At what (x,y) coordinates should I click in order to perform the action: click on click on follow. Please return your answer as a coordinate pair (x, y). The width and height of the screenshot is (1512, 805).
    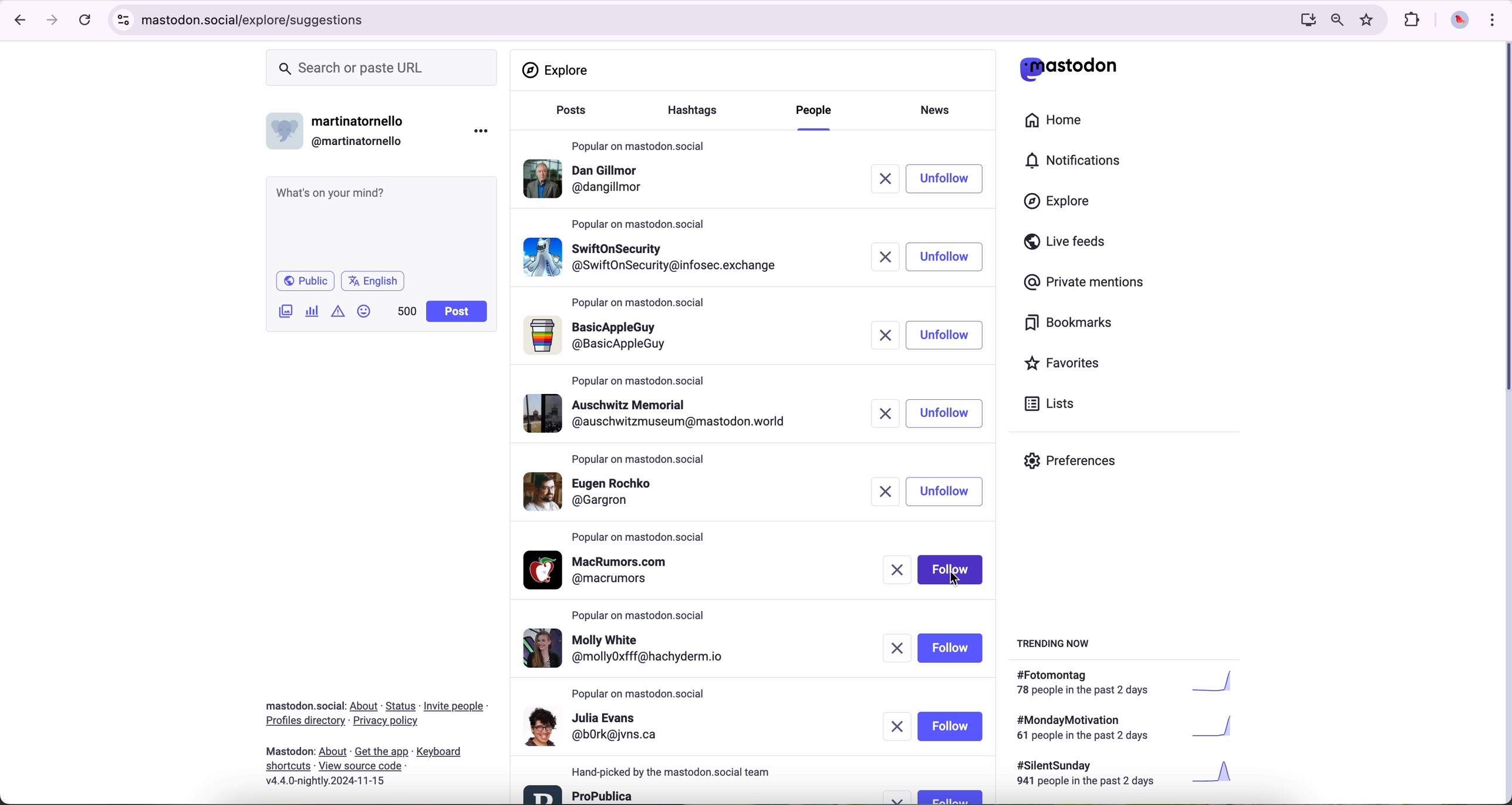
    Looking at the image, I should click on (951, 570).